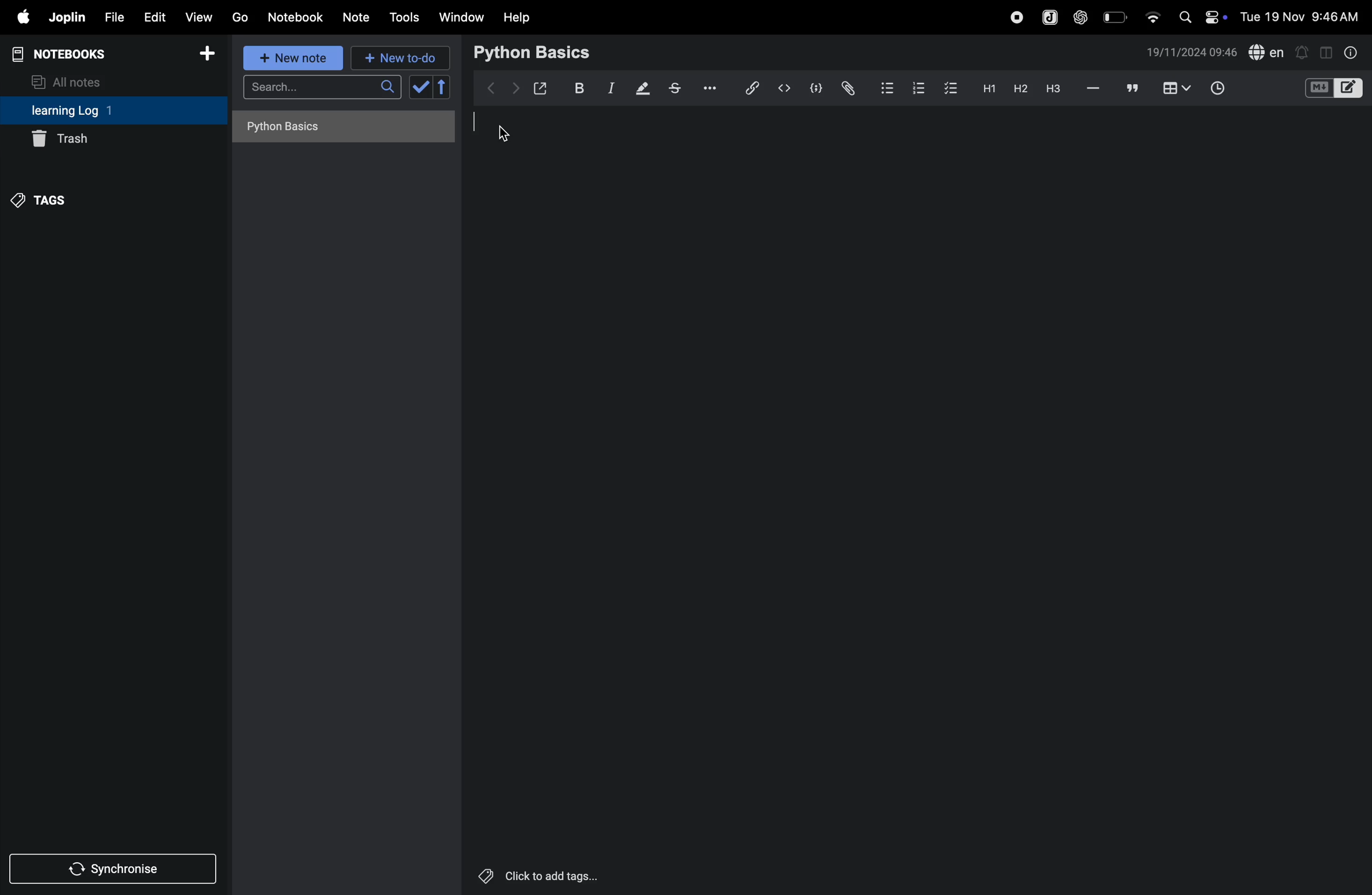  Describe the element at coordinates (357, 18) in the screenshot. I see `notes` at that location.